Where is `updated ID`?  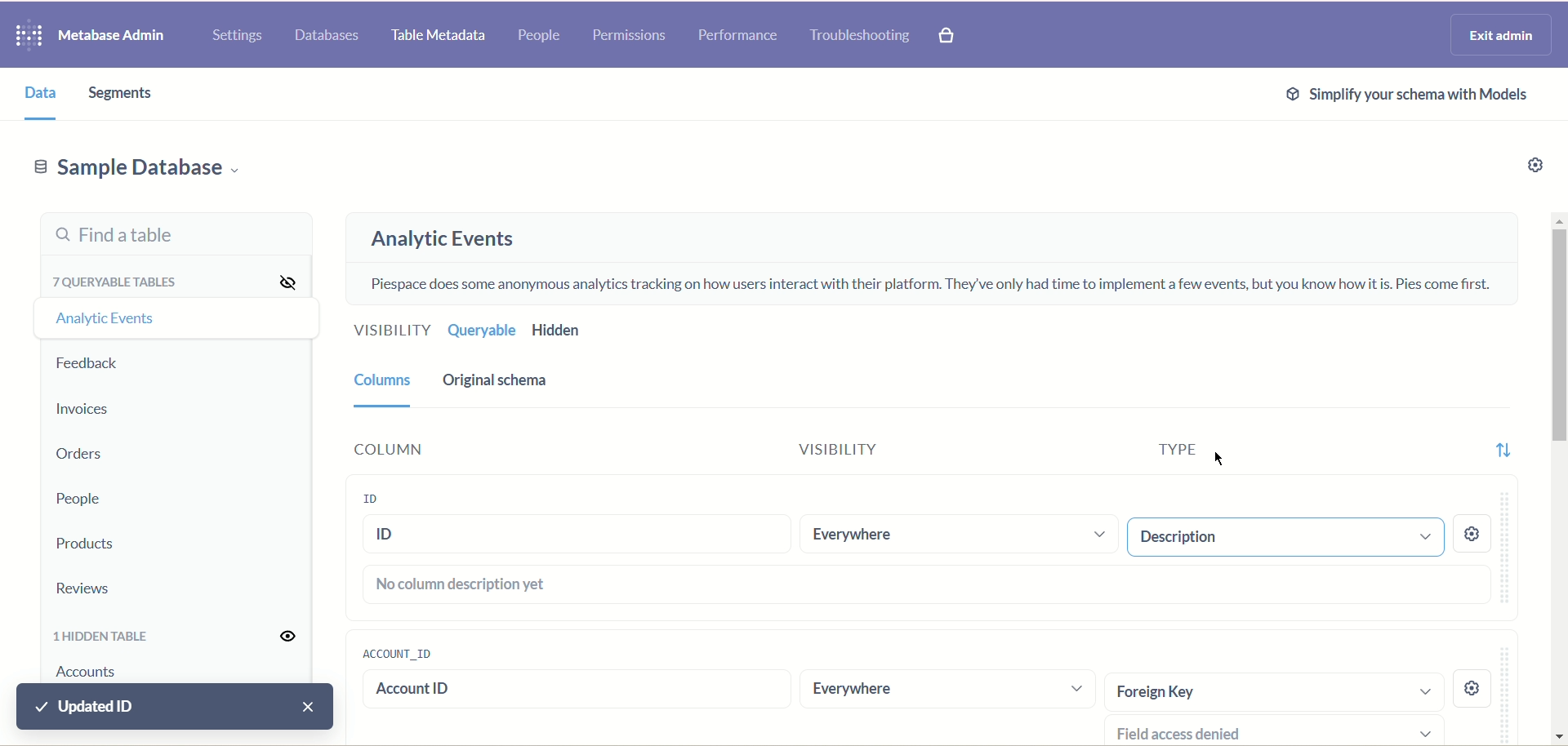
updated ID is located at coordinates (175, 707).